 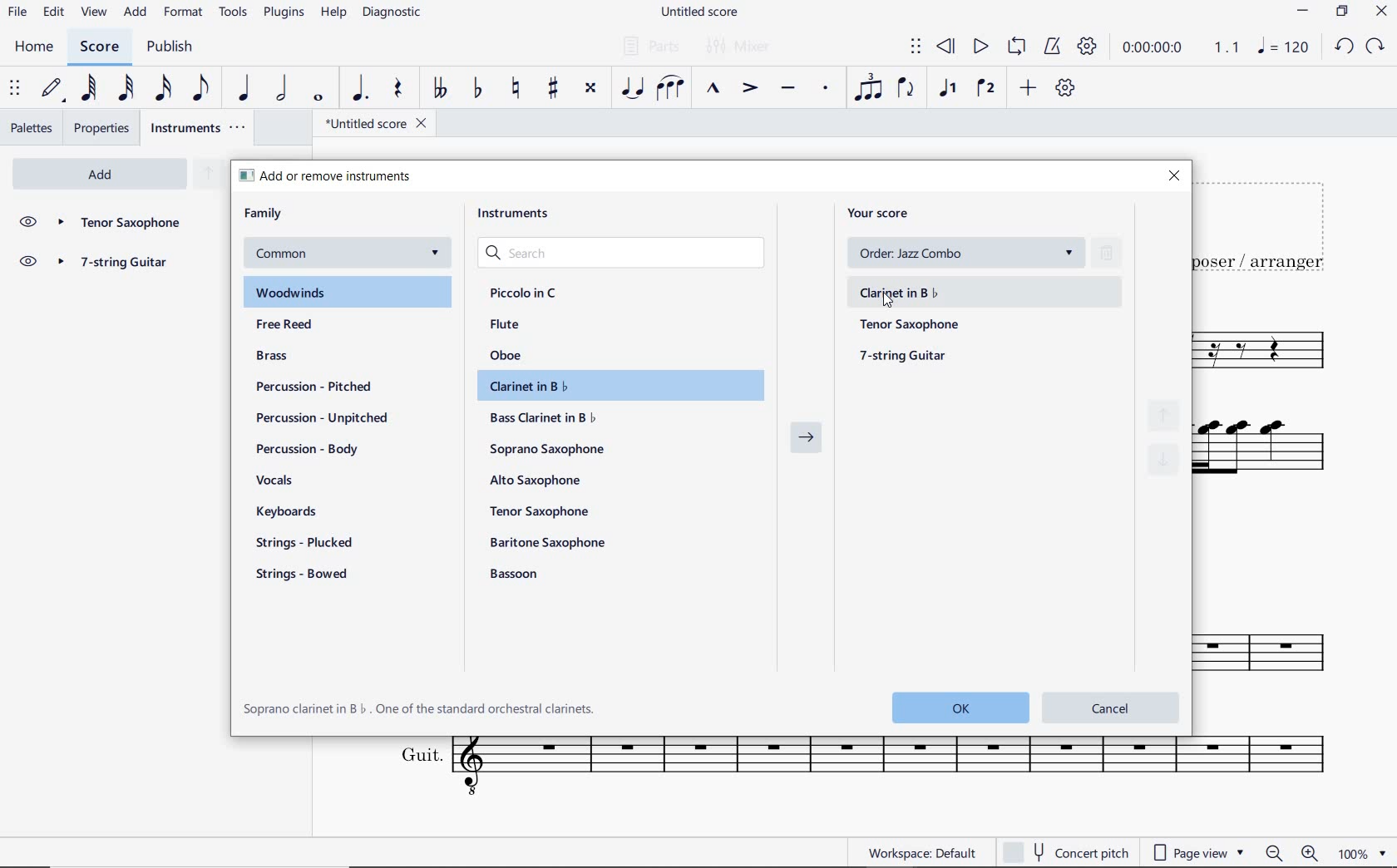 What do you see at coordinates (165, 87) in the screenshot?
I see `16TH NOTE` at bounding box center [165, 87].